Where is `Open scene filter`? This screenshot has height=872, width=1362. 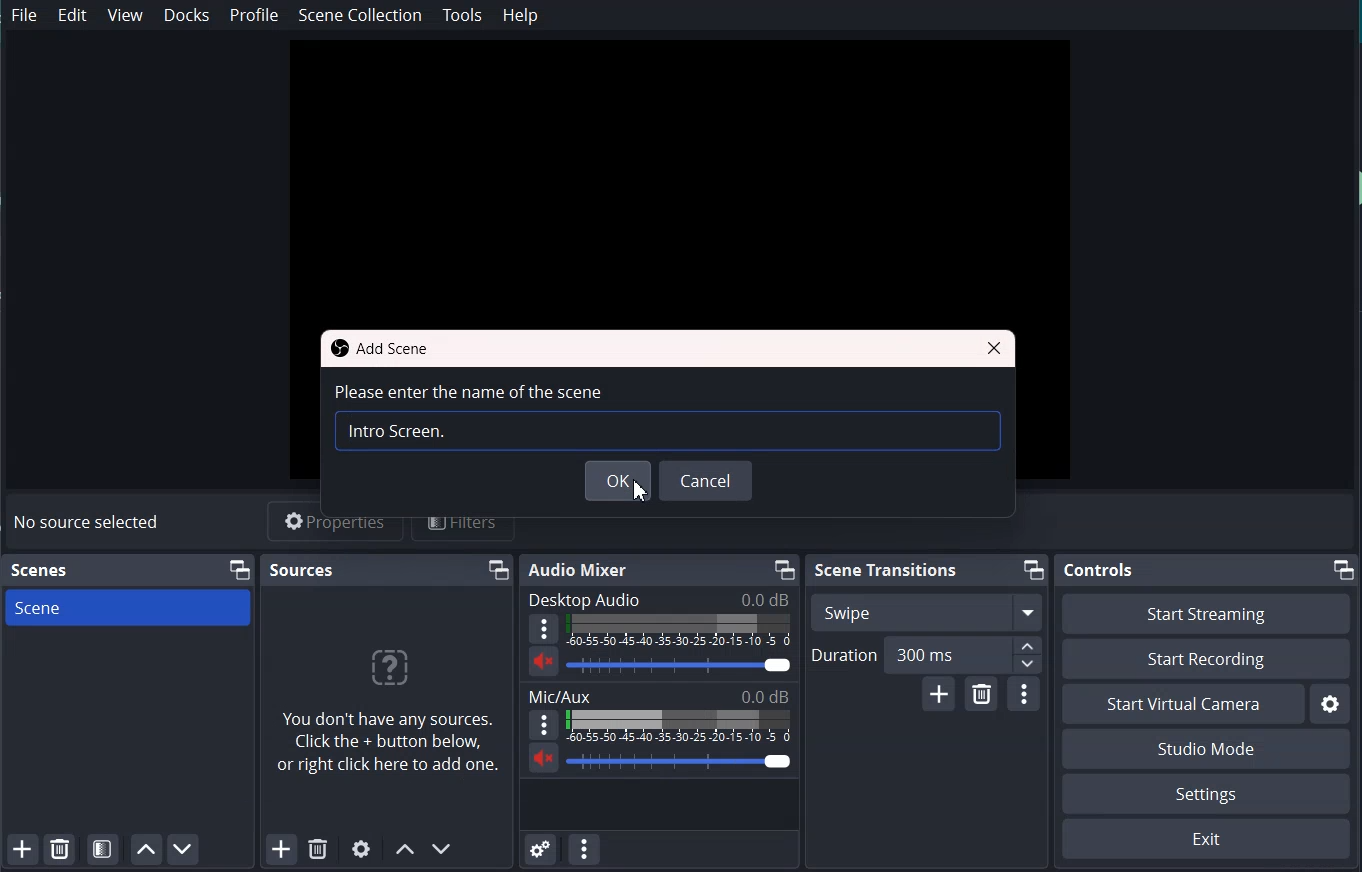
Open scene filter is located at coordinates (102, 848).